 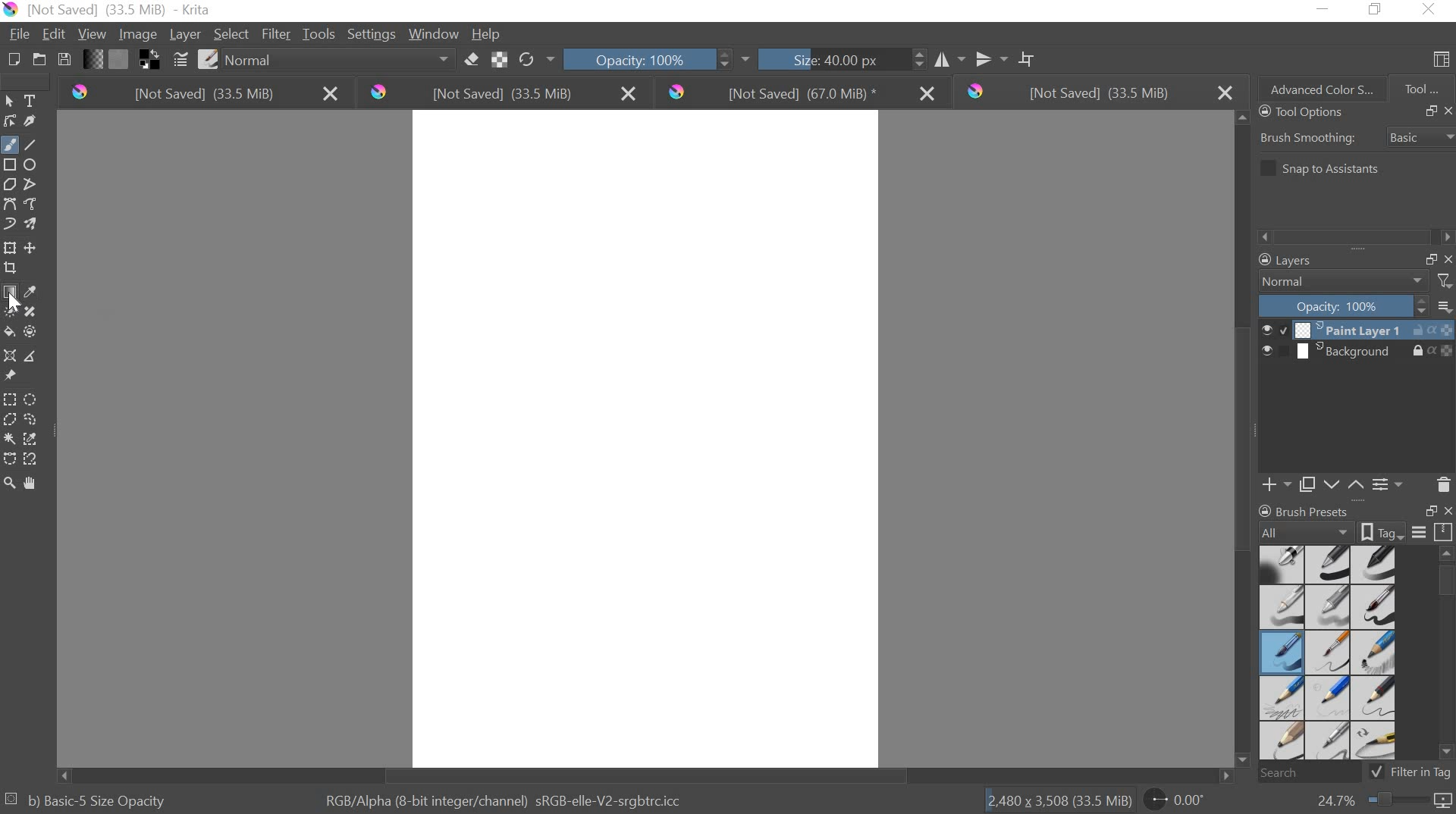 What do you see at coordinates (9, 420) in the screenshot?
I see `polygon selection` at bounding box center [9, 420].